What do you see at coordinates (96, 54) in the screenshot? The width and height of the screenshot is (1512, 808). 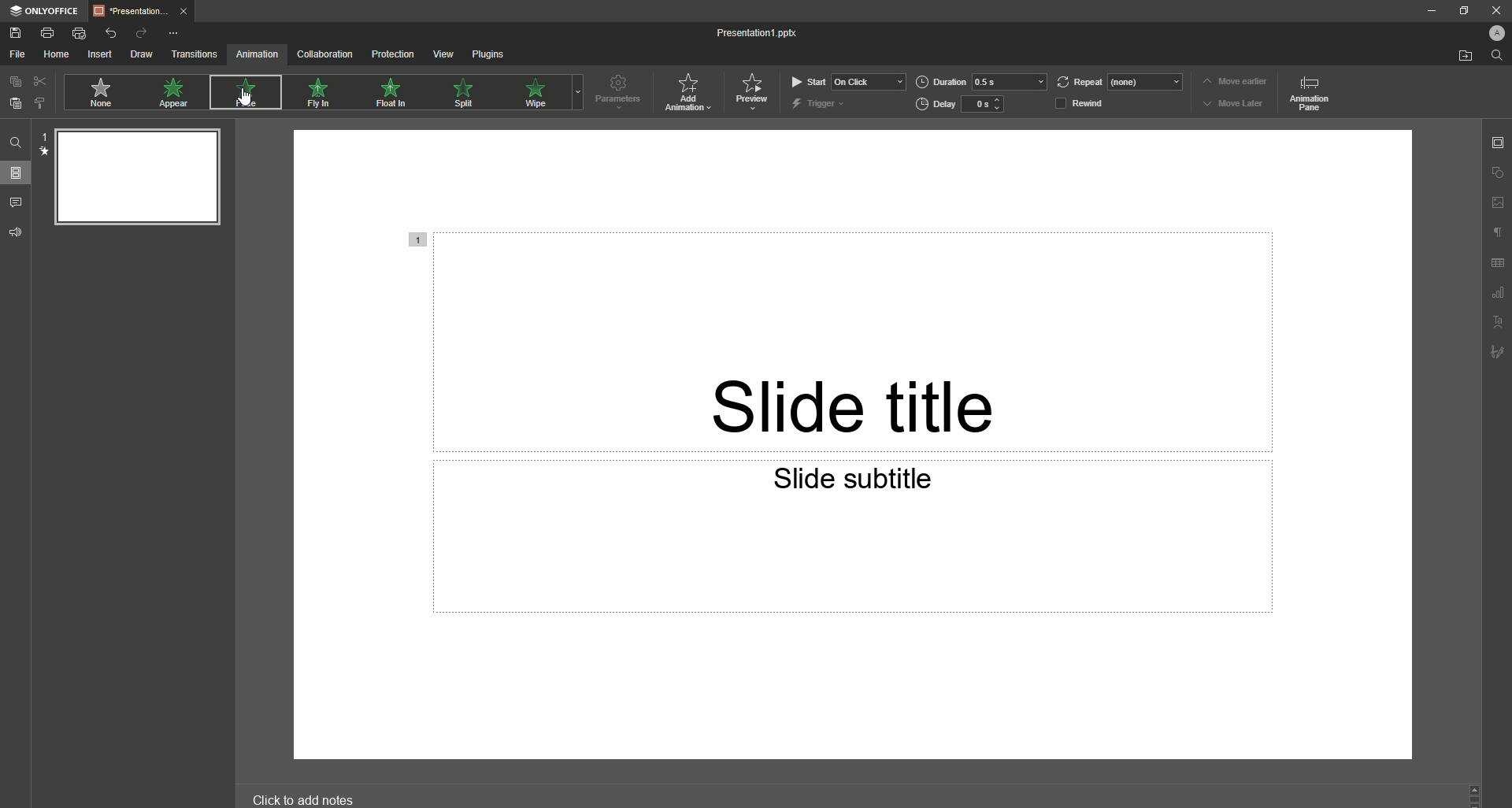 I see `Insert` at bounding box center [96, 54].